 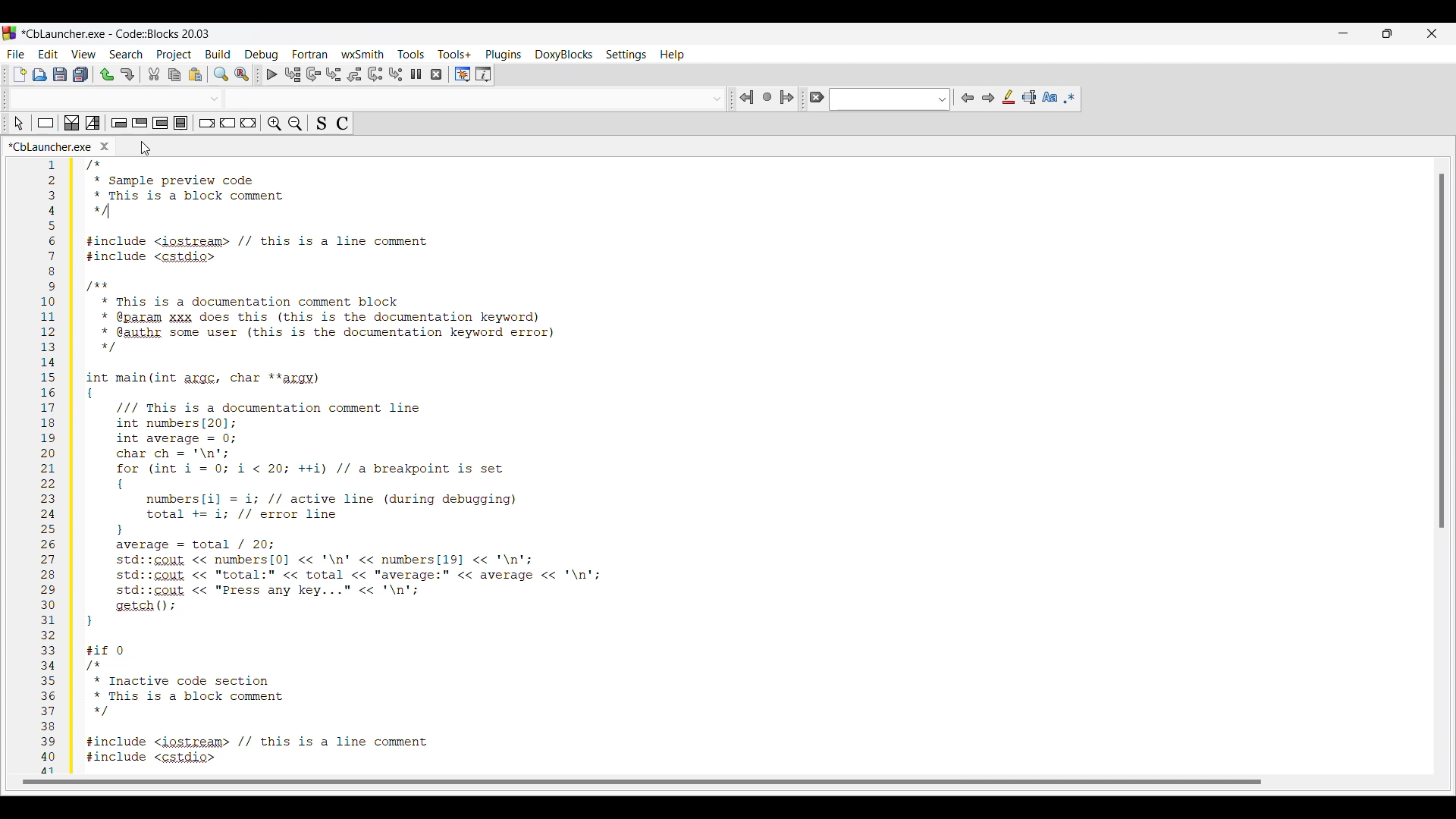 I want to click on Selected text, so click(x=1030, y=97).